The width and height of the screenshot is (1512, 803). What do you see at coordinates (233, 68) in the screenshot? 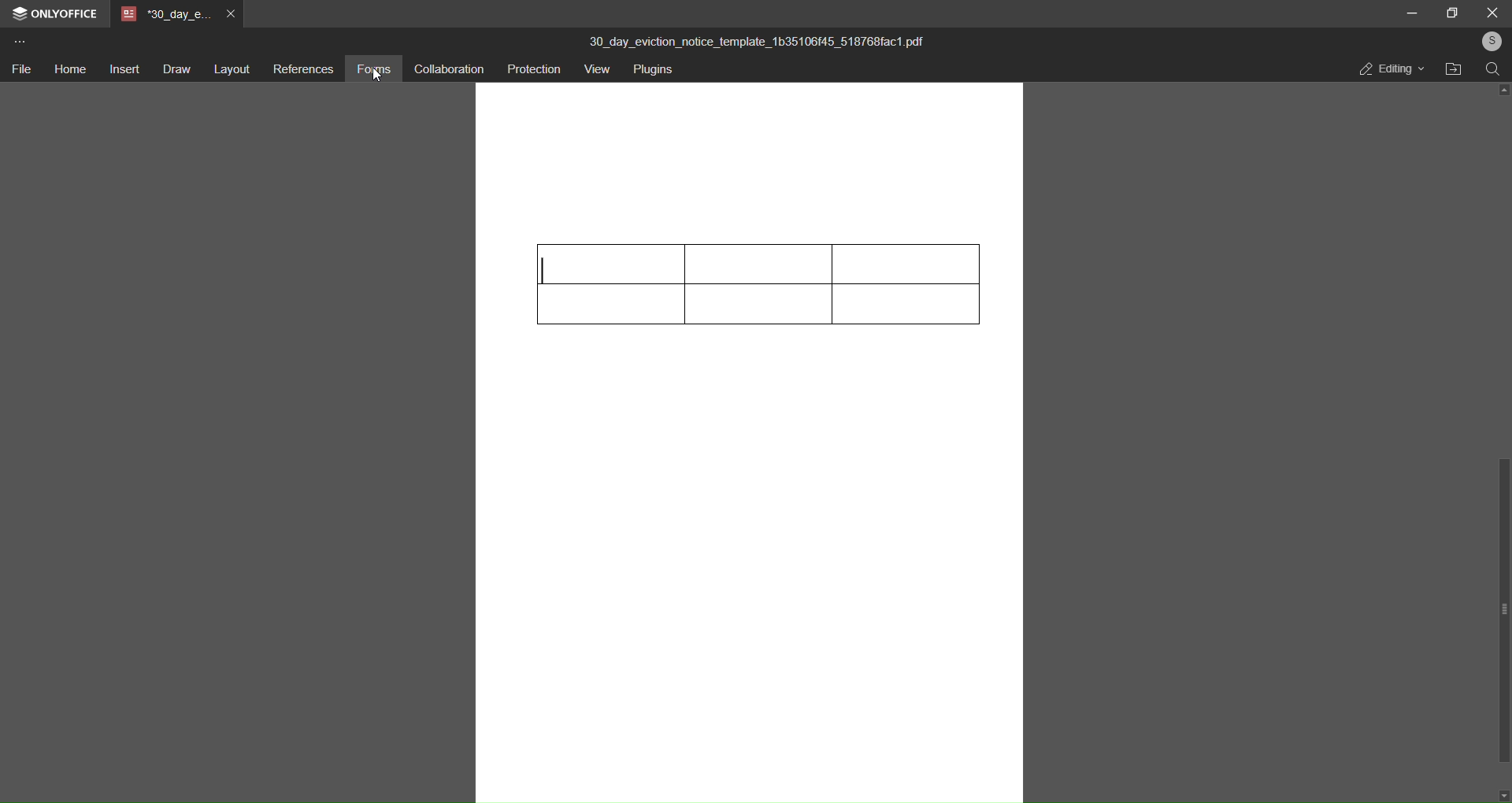
I see `layout` at bounding box center [233, 68].